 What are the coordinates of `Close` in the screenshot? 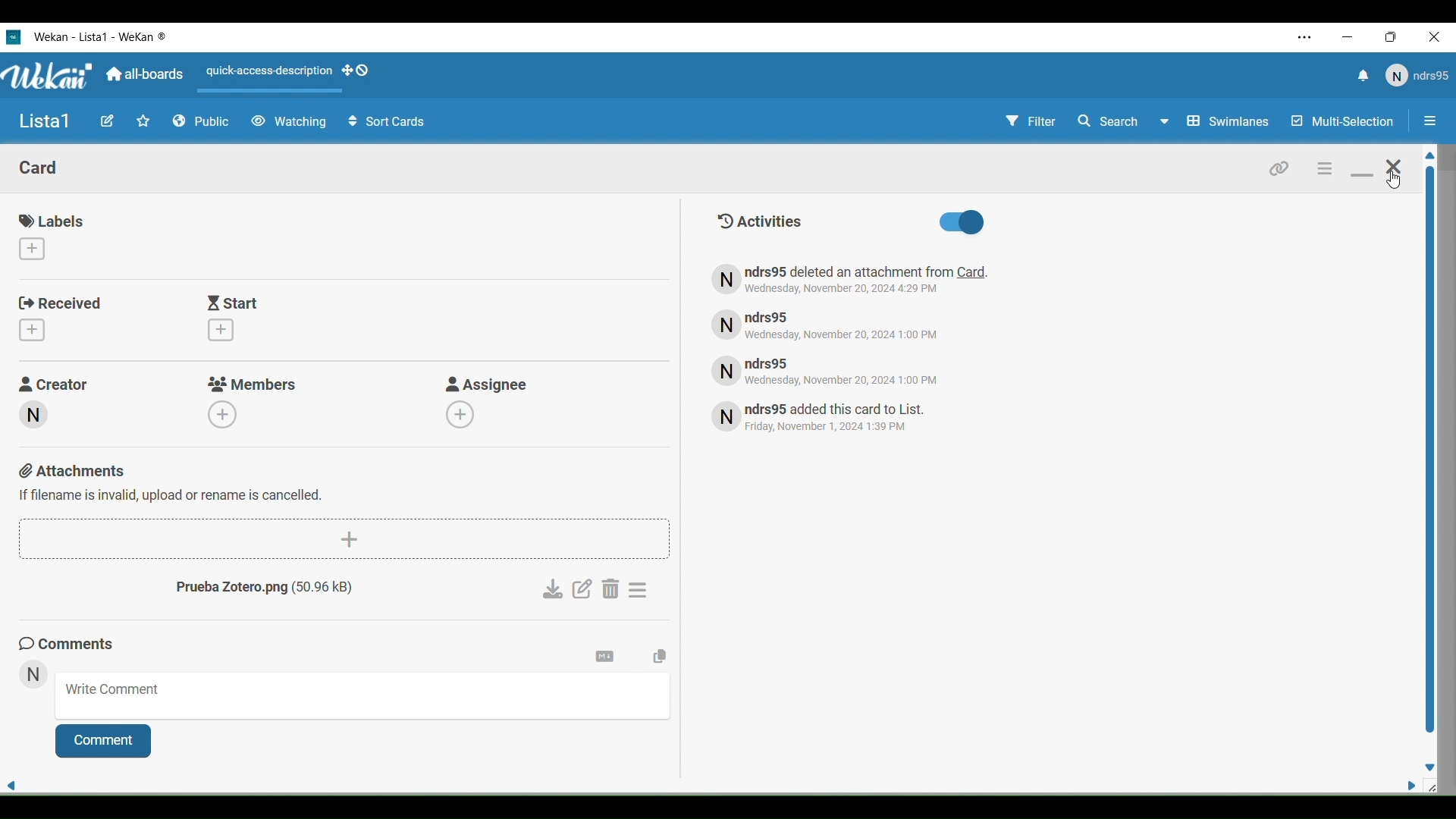 It's located at (1394, 171).